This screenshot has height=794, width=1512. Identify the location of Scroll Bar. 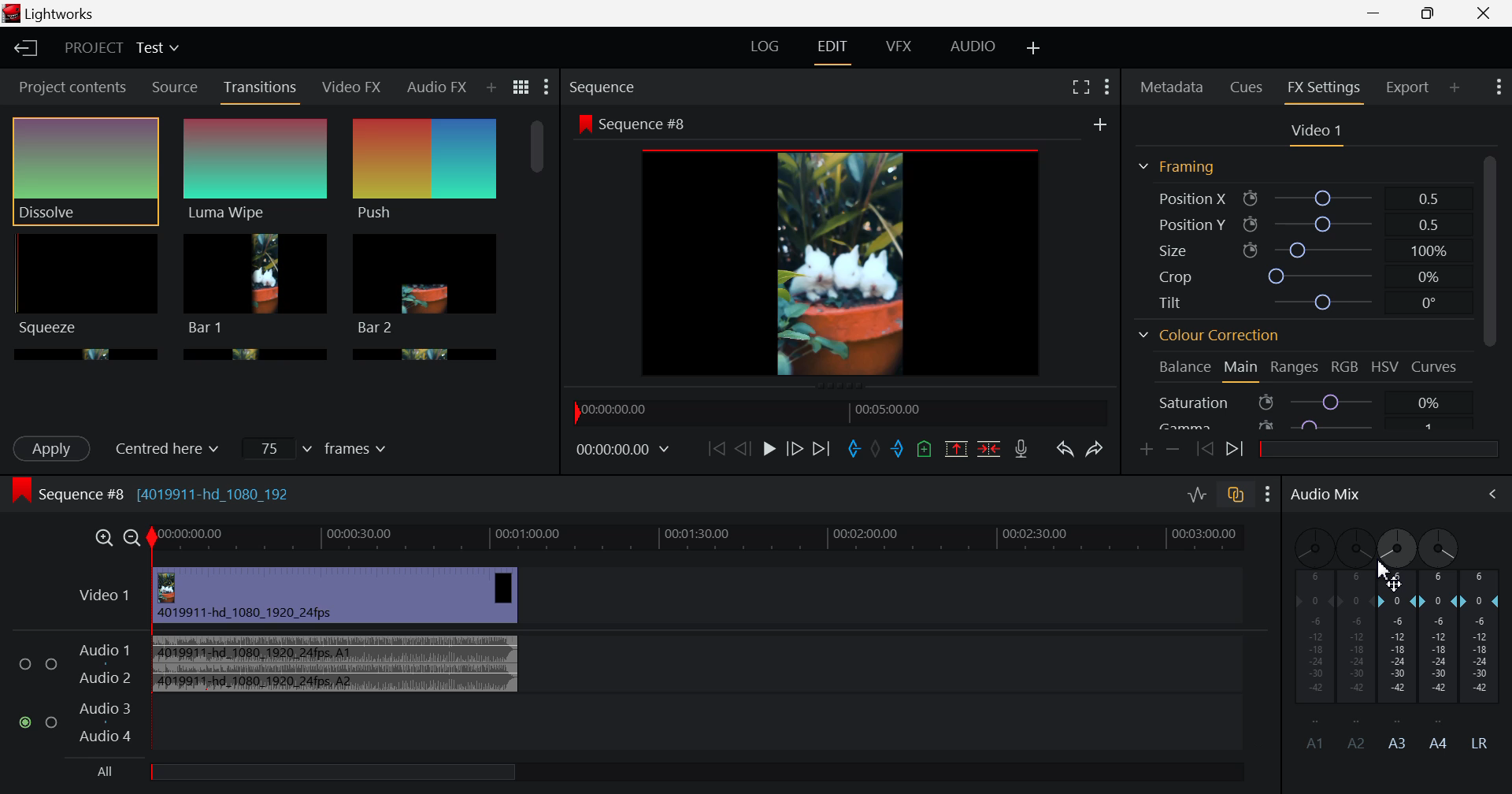
(1493, 291).